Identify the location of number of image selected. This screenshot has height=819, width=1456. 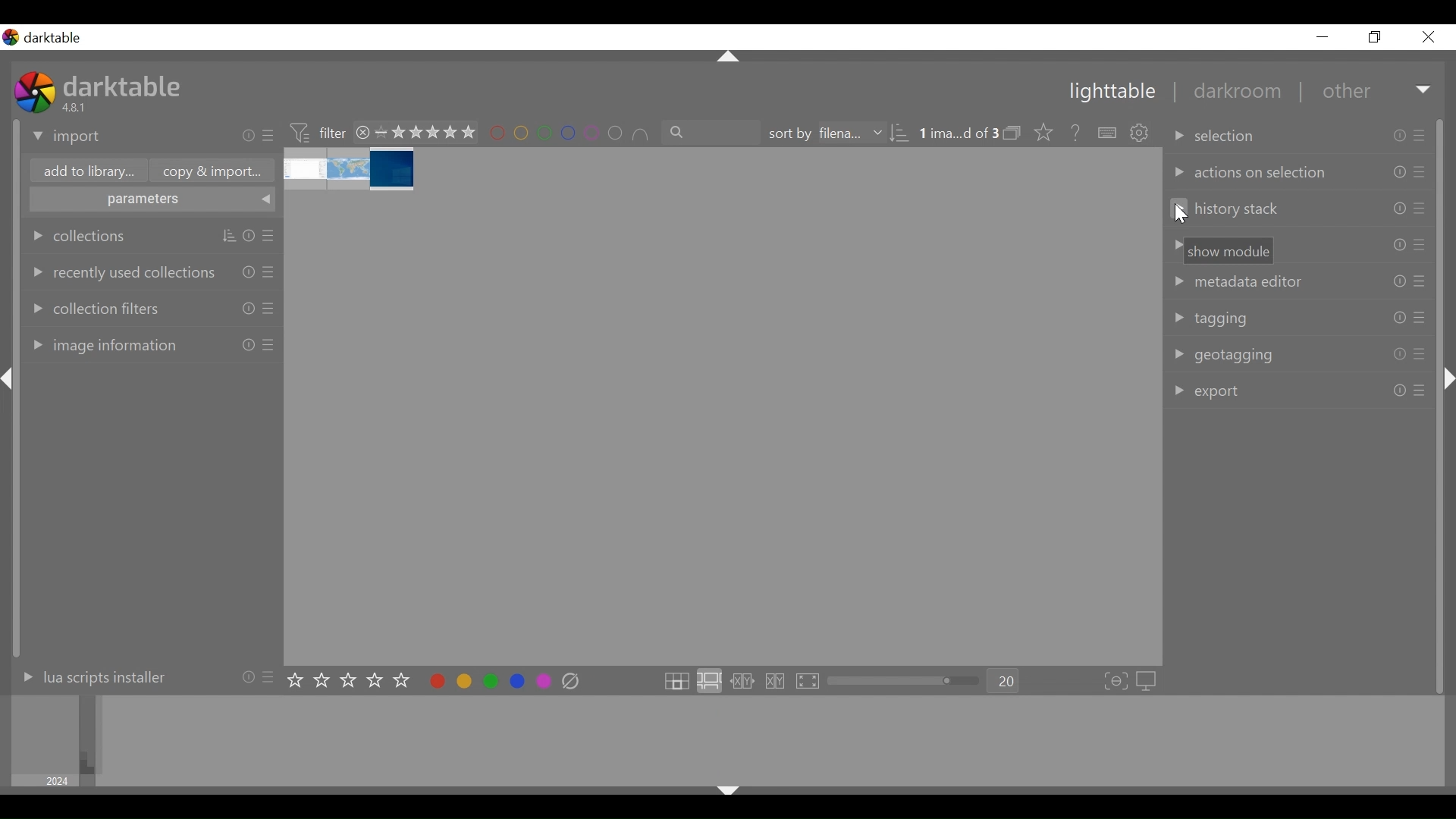
(958, 133).